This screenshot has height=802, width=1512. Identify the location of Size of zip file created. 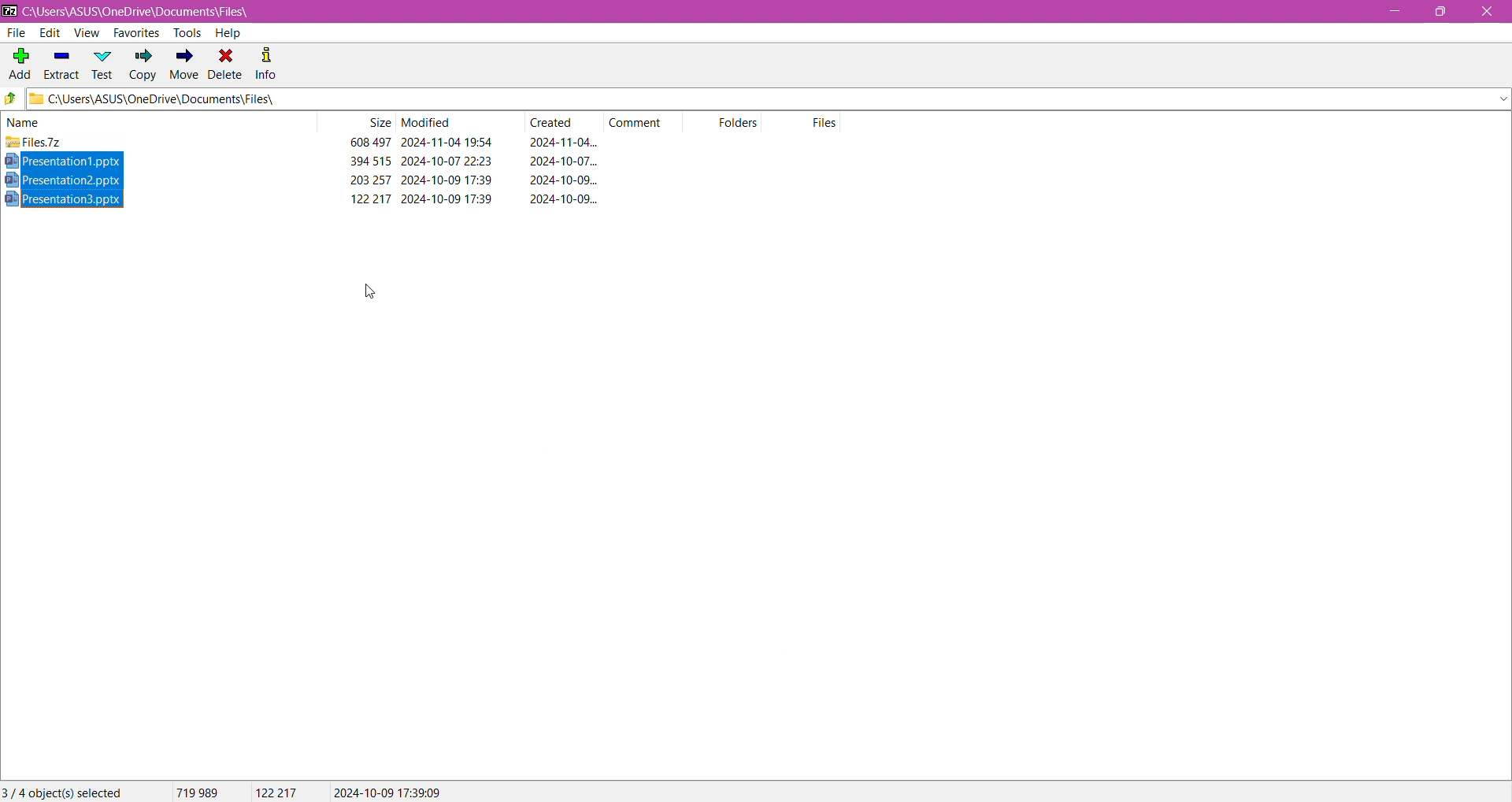
(364, 143).